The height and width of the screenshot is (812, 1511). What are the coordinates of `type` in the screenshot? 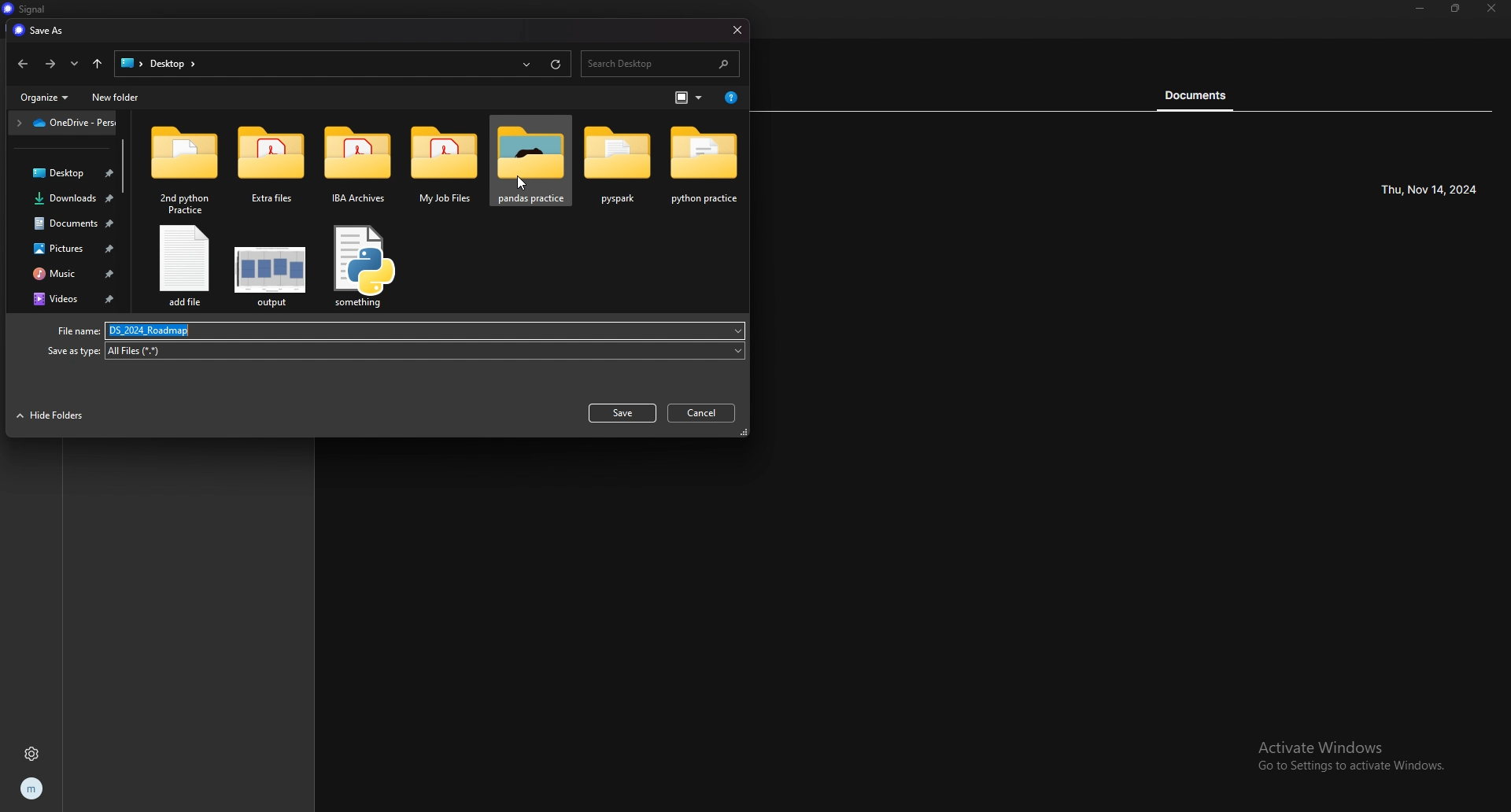 It's located at (395, 352).